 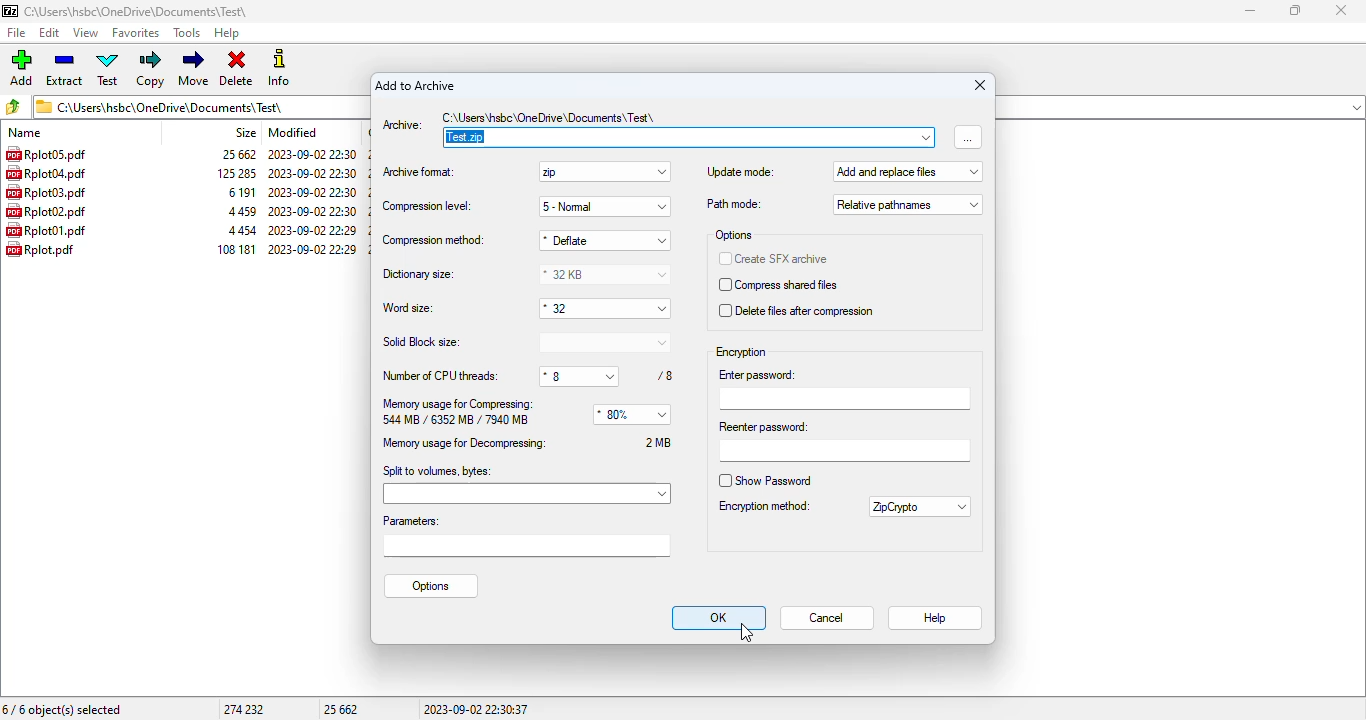 What do you see at coordinates (908, 205) in the screenshot?
I see `relative  pathnames` at bounding box center [908, 205].